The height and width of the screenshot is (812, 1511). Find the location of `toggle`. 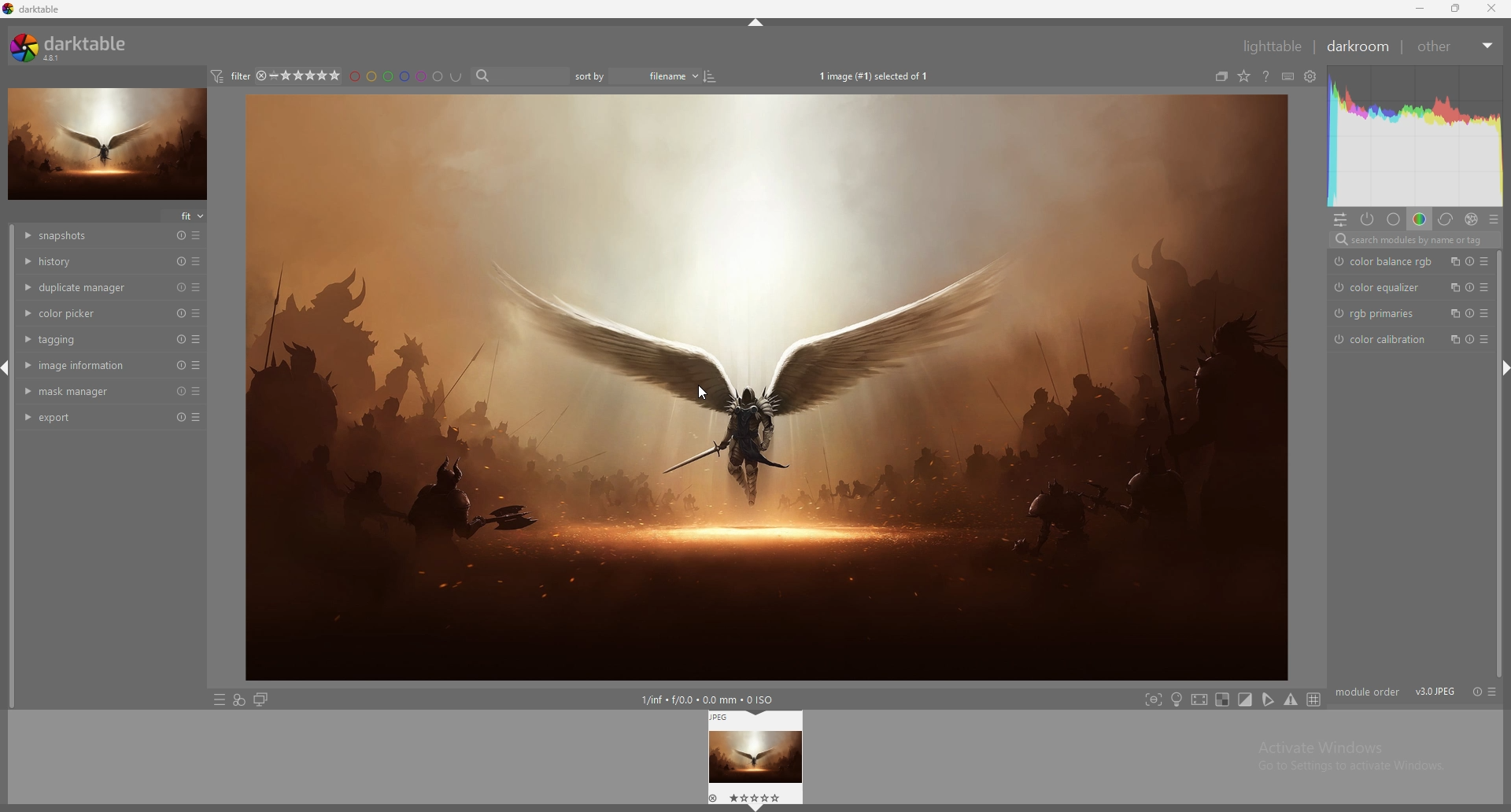

toggle is located at coordinates (716, 76).